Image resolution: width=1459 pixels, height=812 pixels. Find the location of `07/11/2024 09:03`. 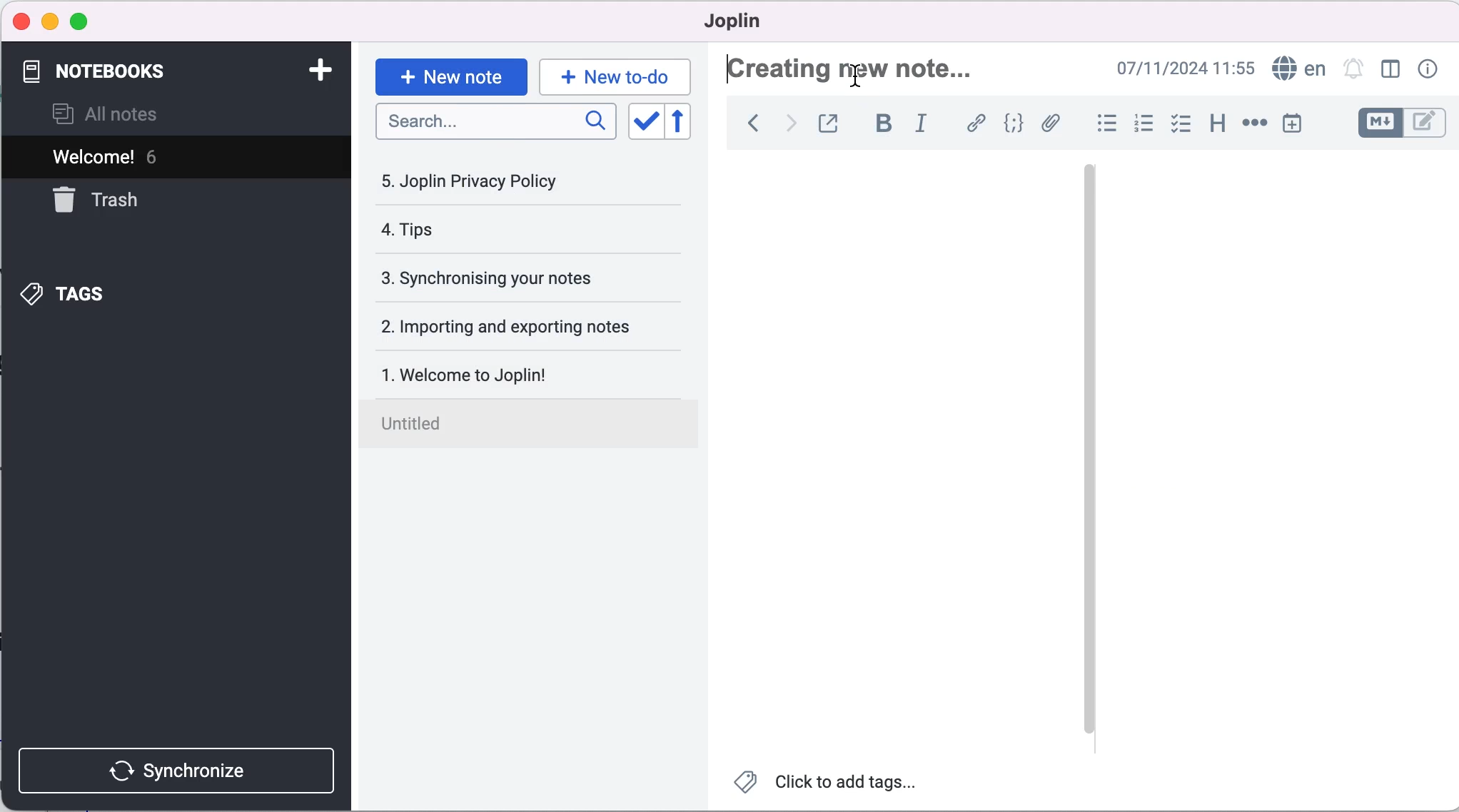

07/11/2024 09:03 is located at coordinates (1186, 68).